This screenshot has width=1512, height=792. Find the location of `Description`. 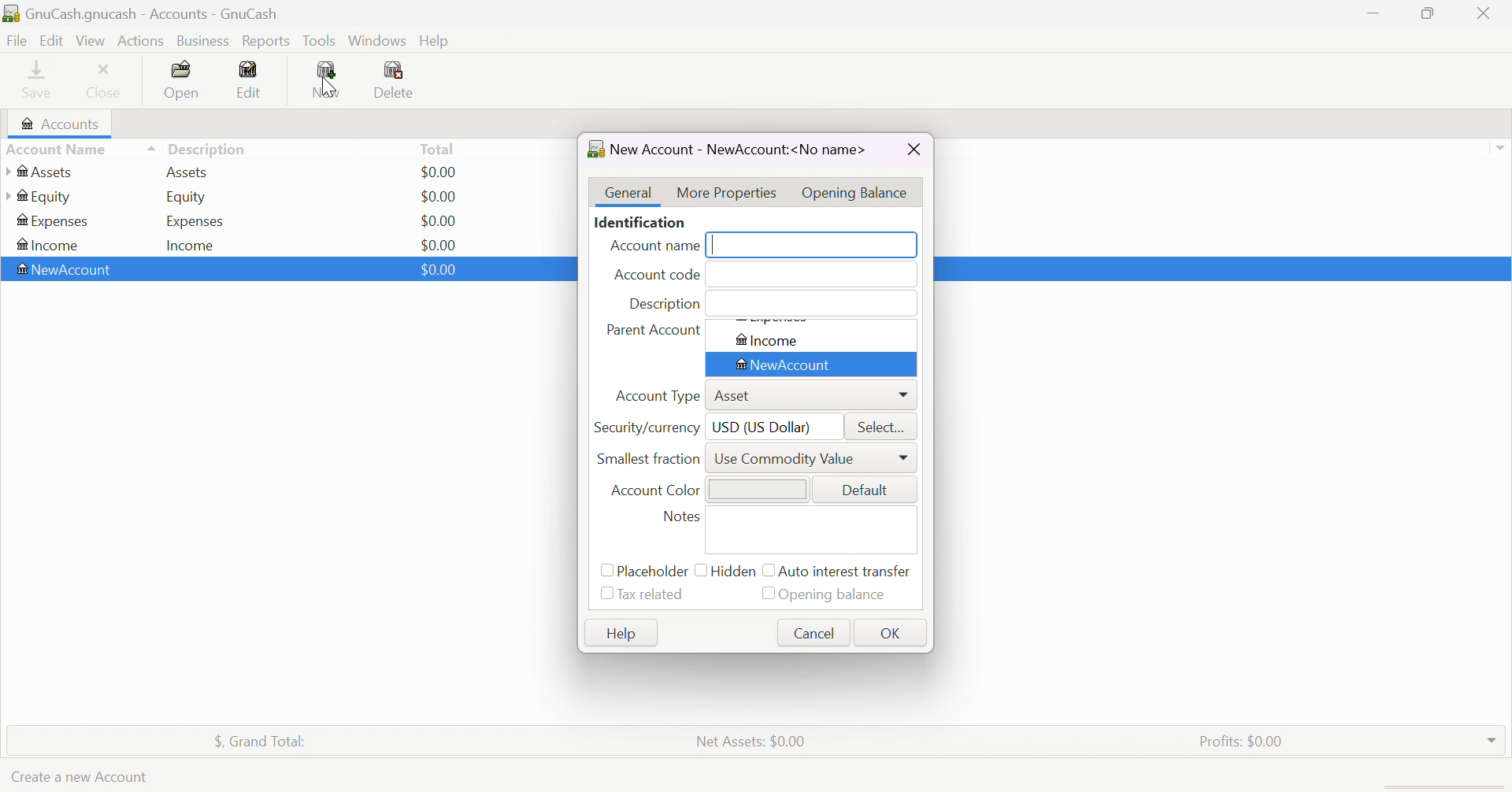

Description is located at coordinates (667, 305).